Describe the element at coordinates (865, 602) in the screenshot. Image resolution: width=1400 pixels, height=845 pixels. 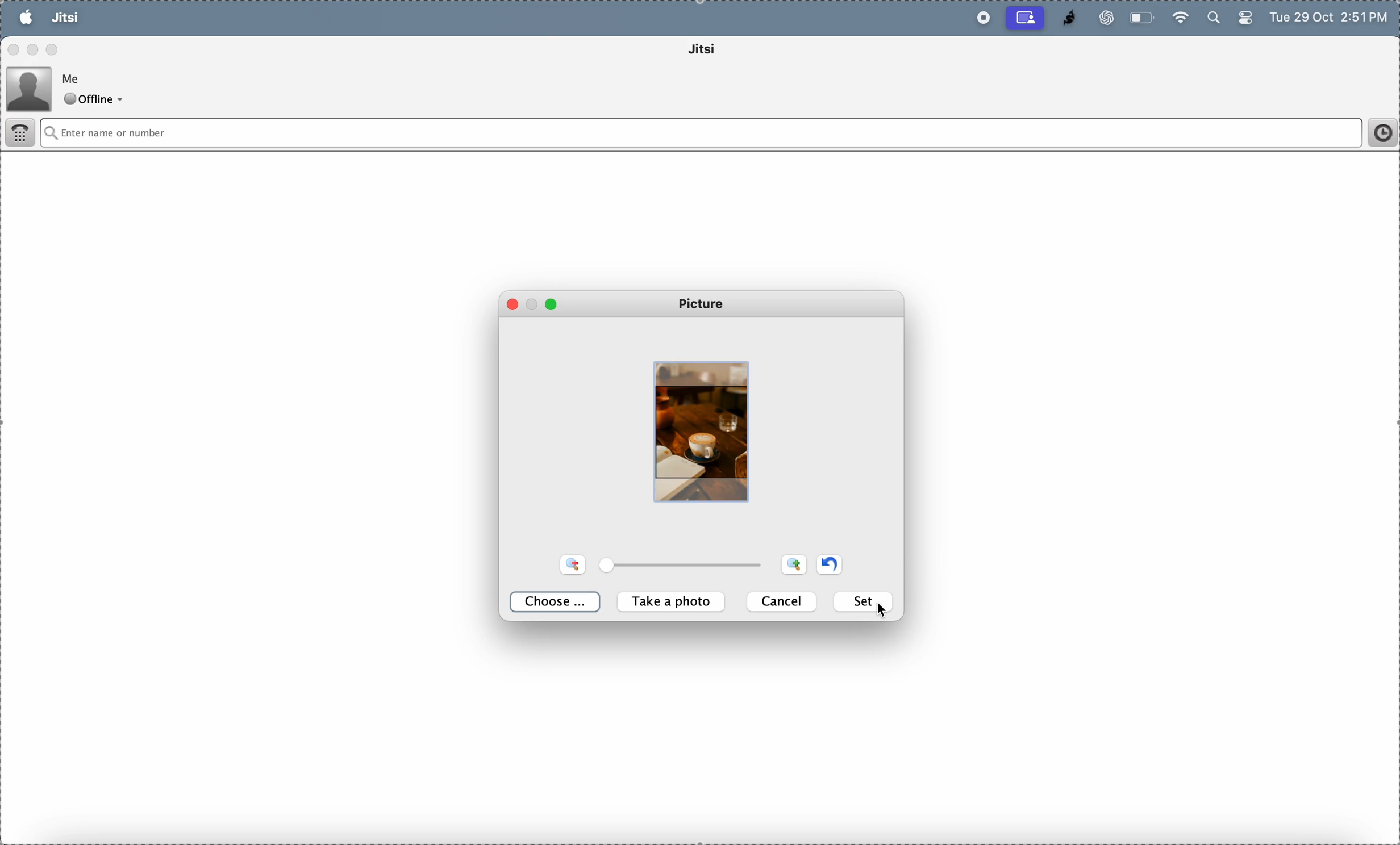
I see `set` at that location.